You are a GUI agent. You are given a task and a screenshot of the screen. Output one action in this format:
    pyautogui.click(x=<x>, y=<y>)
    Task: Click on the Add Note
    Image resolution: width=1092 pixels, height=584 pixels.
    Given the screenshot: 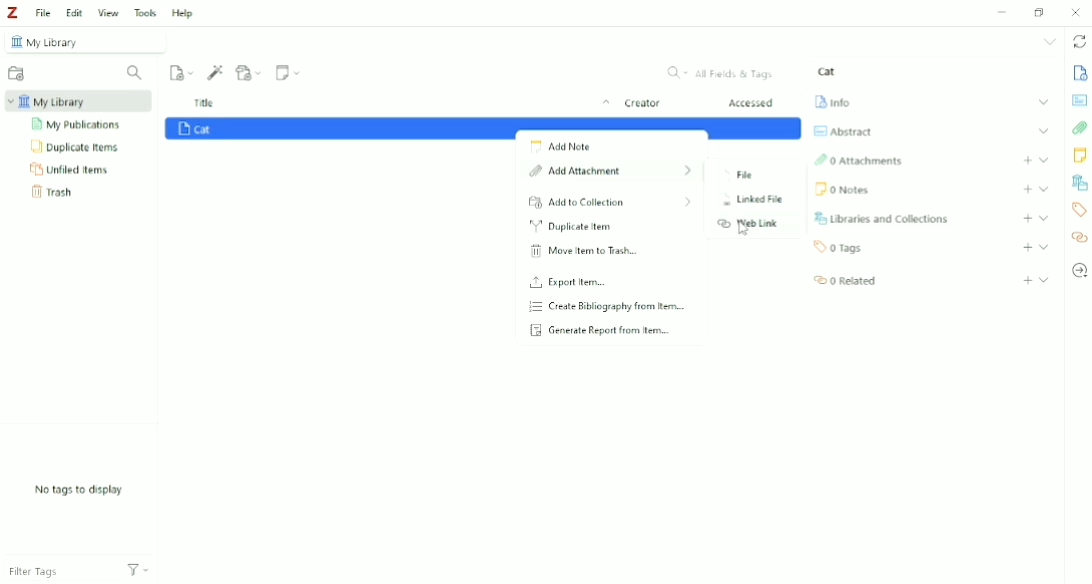 What is the action you would take?
    pyautogui.click(x=560, y=146)
    